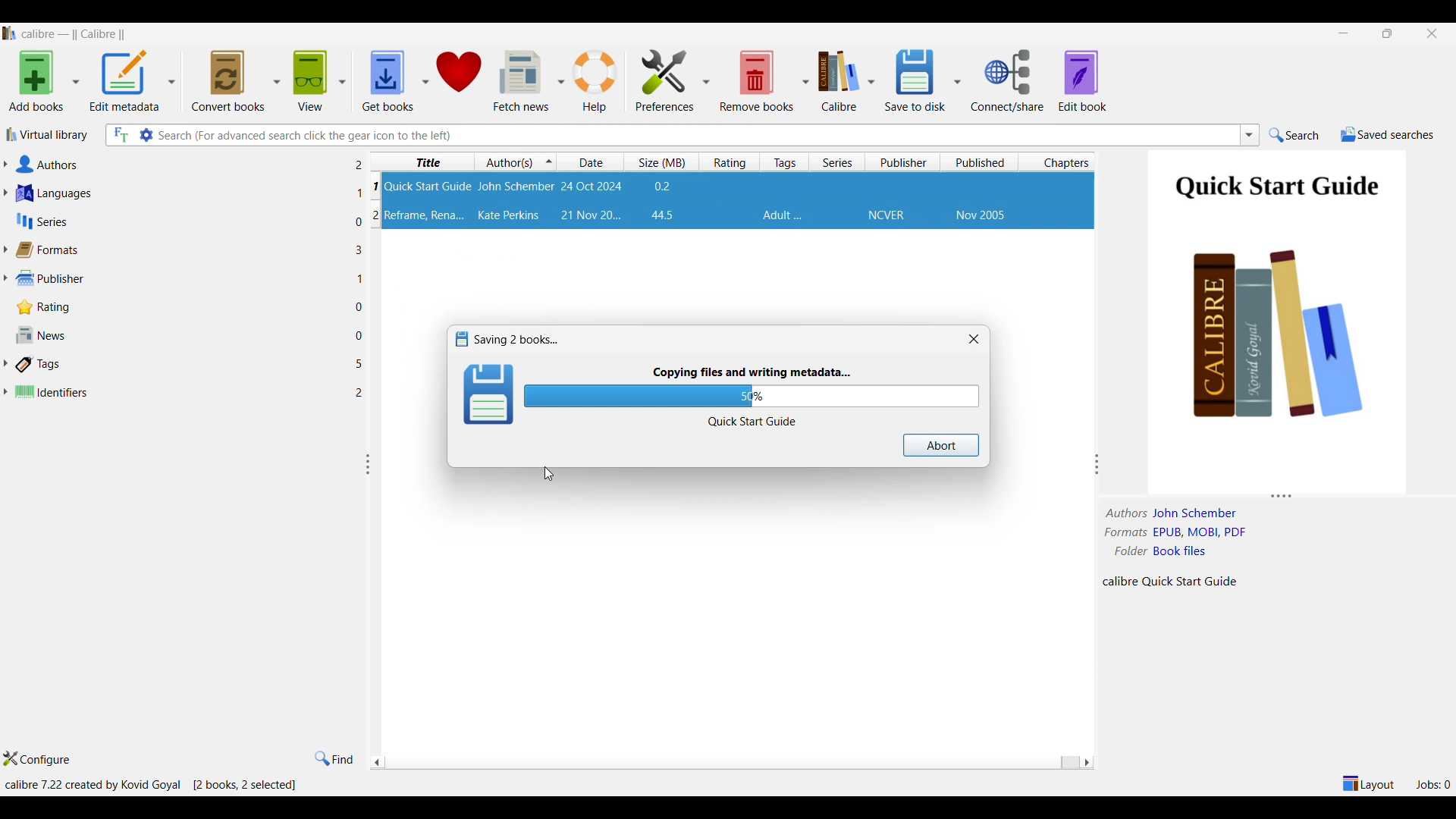  I want to click on View options, so click(318, 80).